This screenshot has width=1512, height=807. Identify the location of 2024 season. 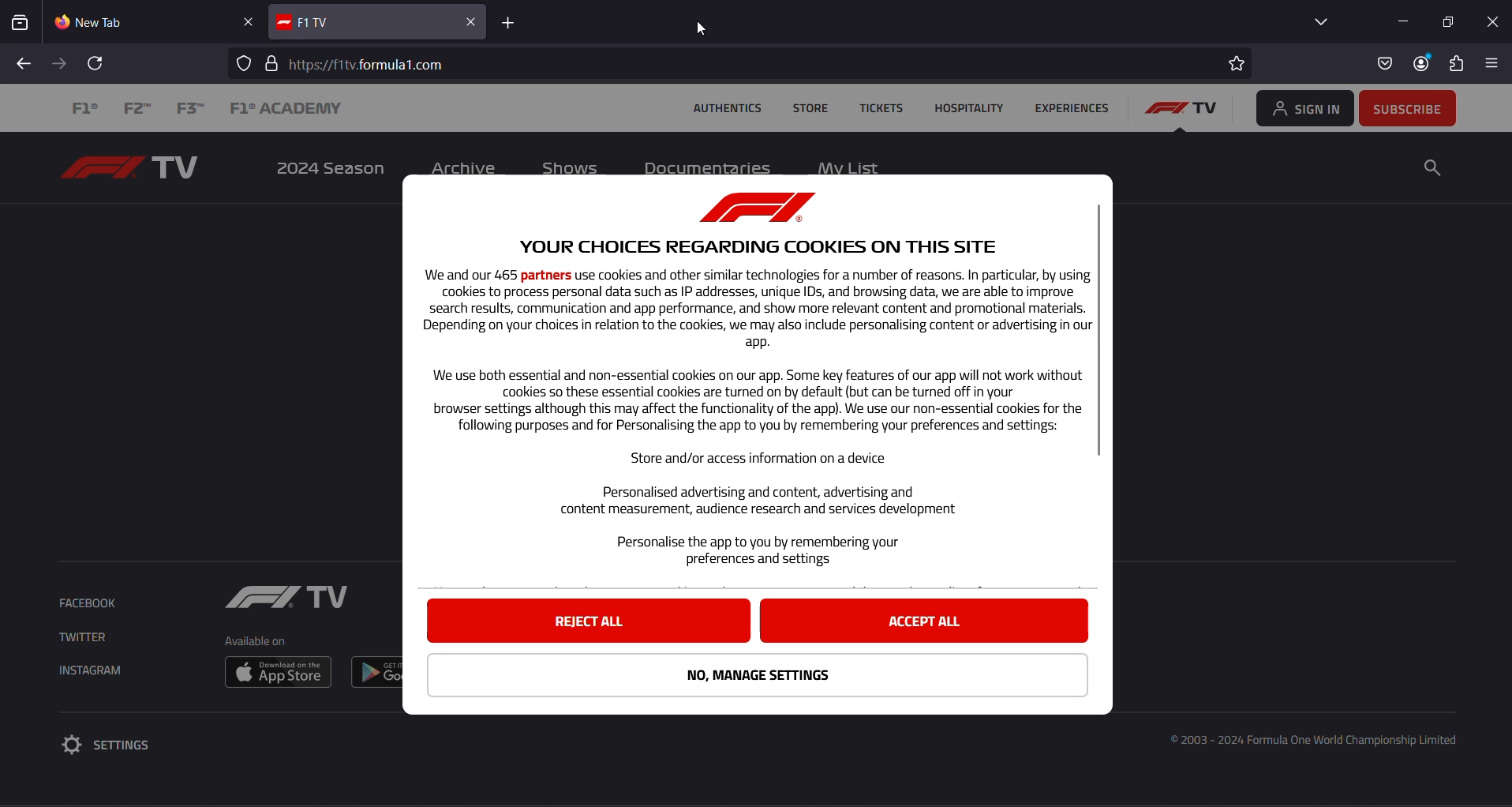
(327, 169).